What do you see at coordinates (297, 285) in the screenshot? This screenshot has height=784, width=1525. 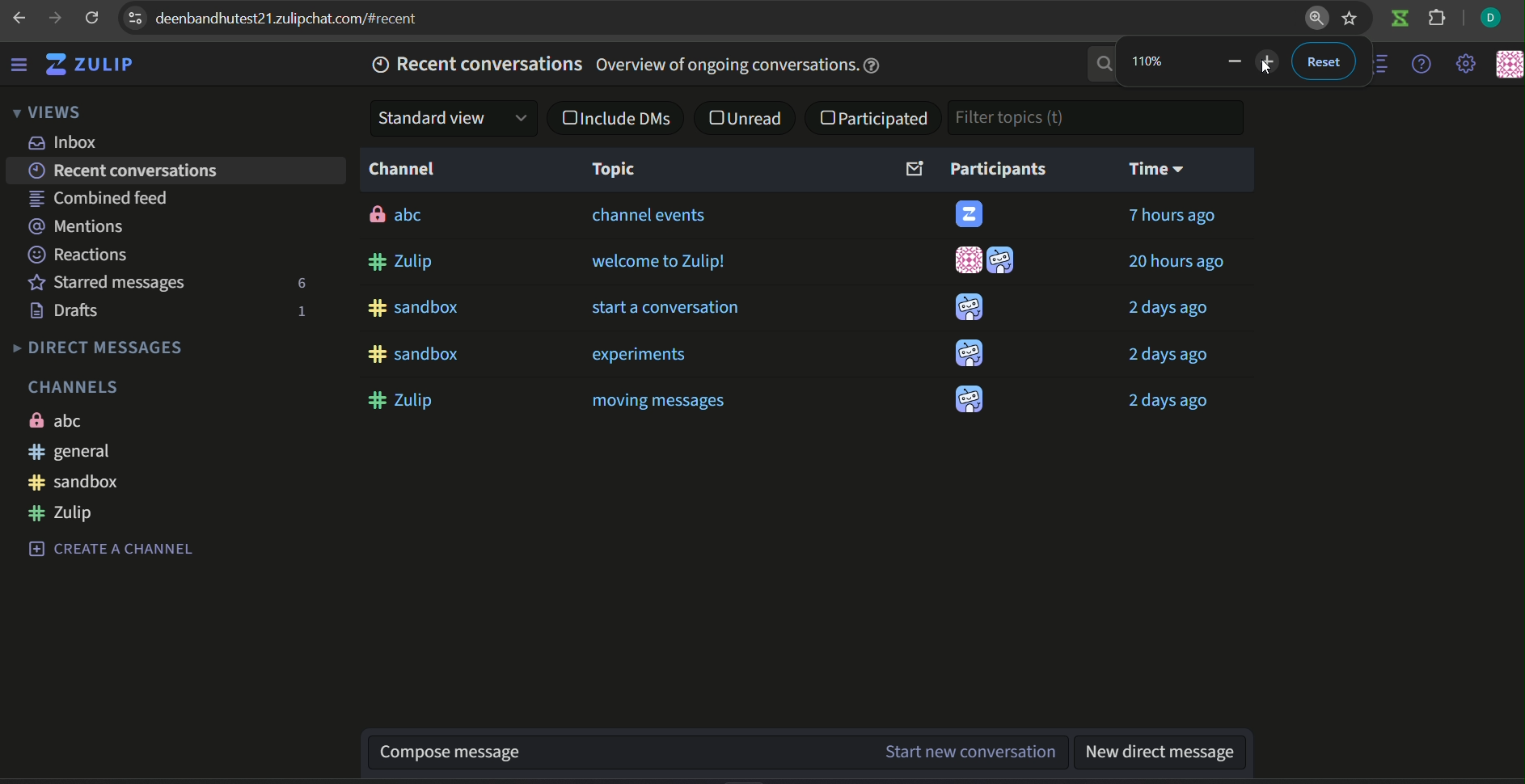 I see `number` at bounding box center [297, 285].